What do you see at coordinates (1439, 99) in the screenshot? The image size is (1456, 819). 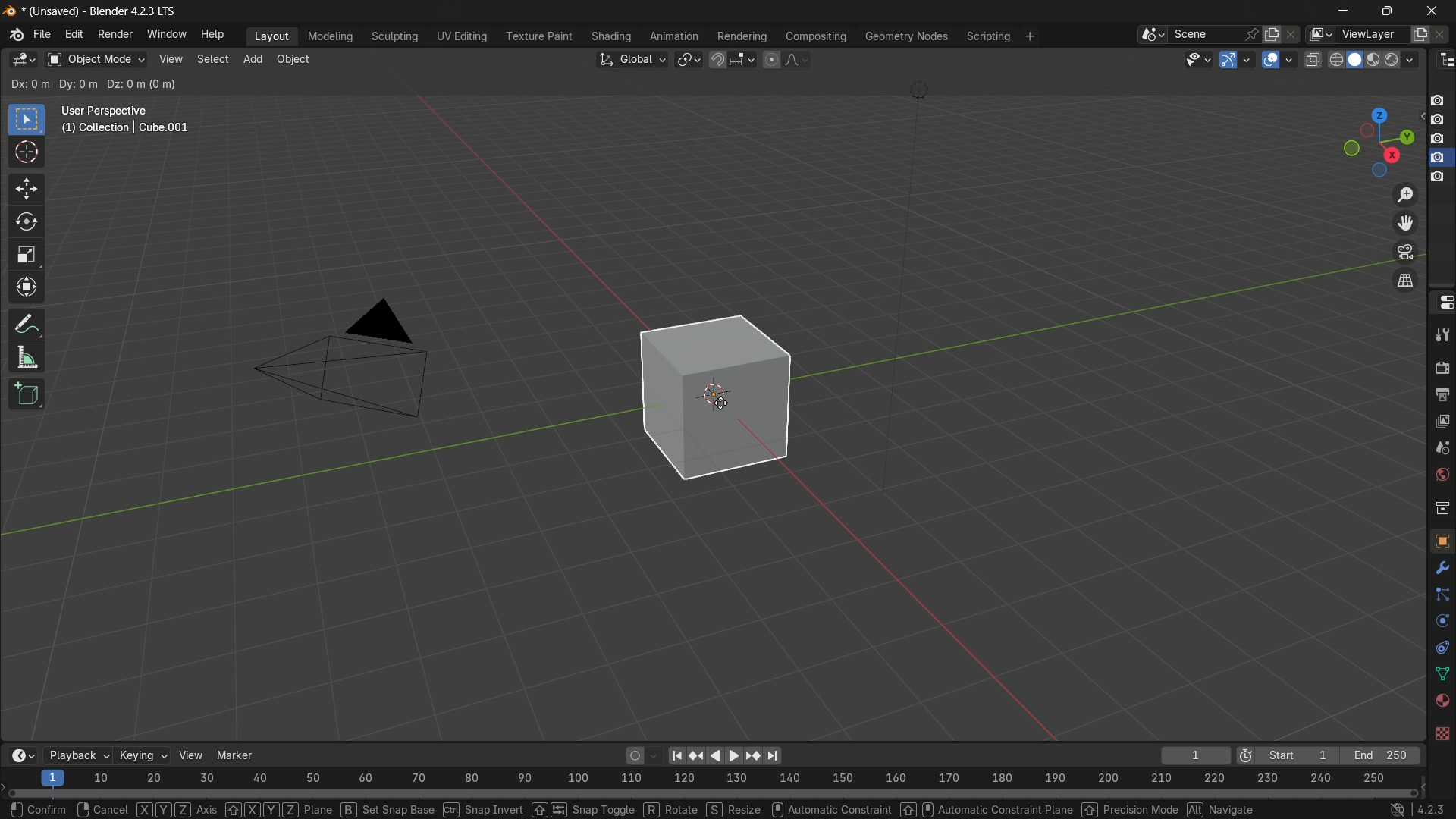 I see `Icon1 ` at bounding box center [1439, 99].